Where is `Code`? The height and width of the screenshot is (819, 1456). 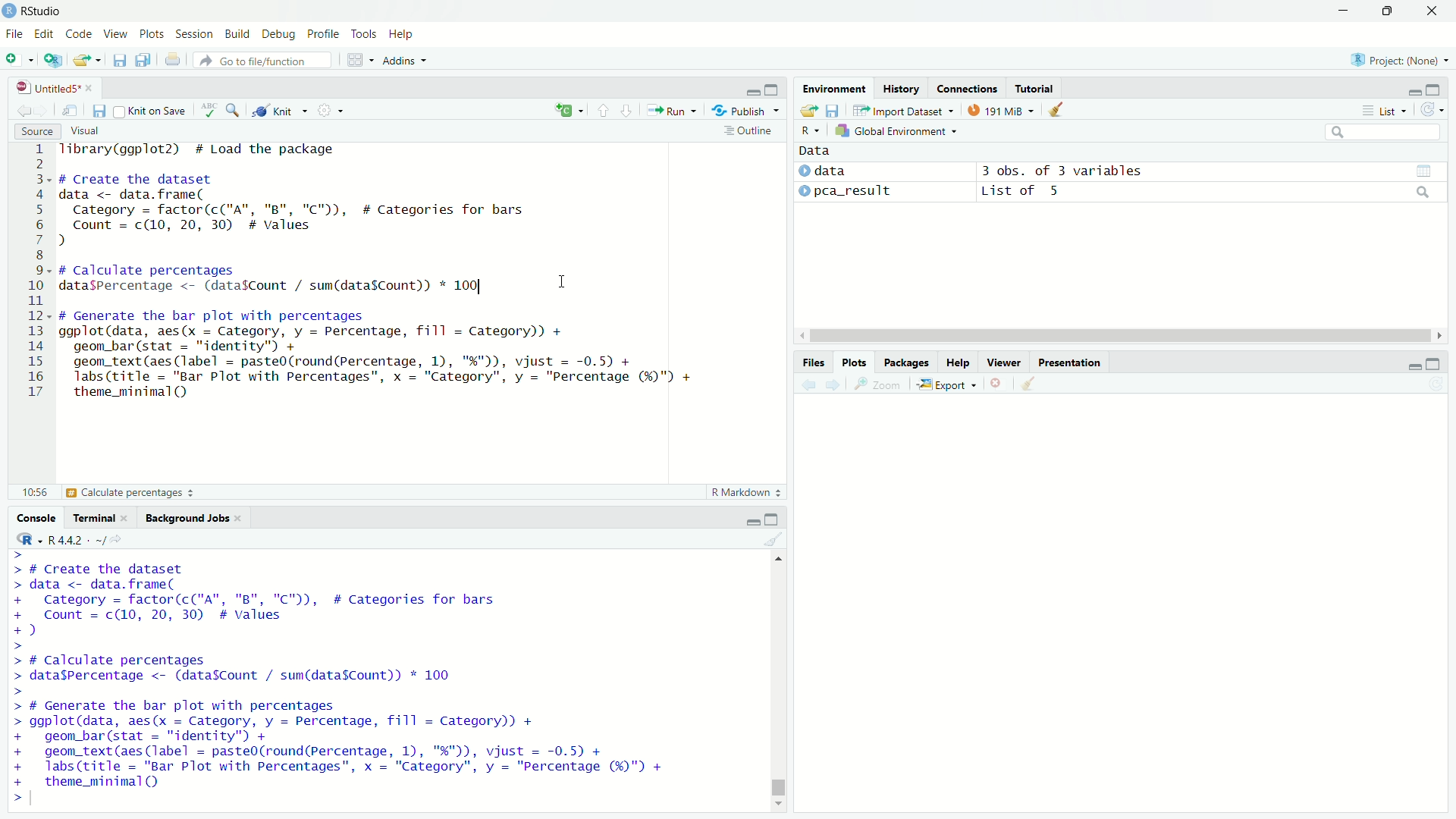 Code is located at coordinates (80, 35).